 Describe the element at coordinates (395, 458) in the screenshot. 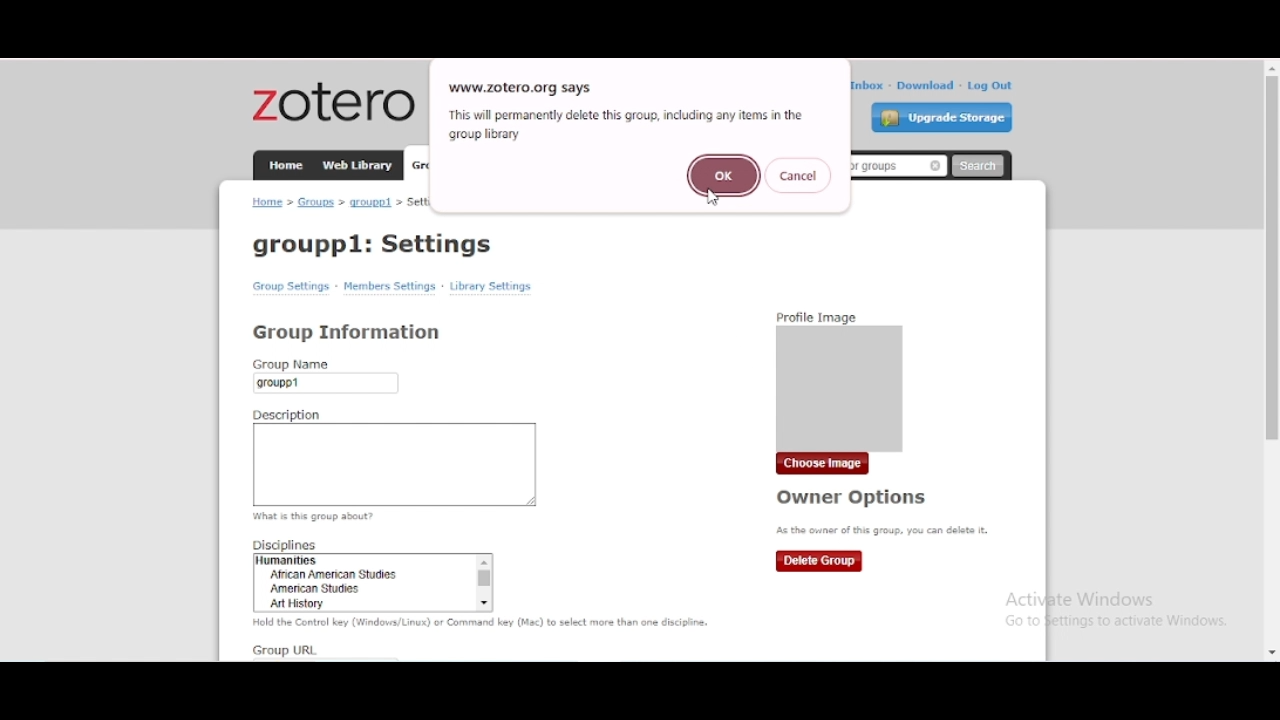

I see `description` at that location.